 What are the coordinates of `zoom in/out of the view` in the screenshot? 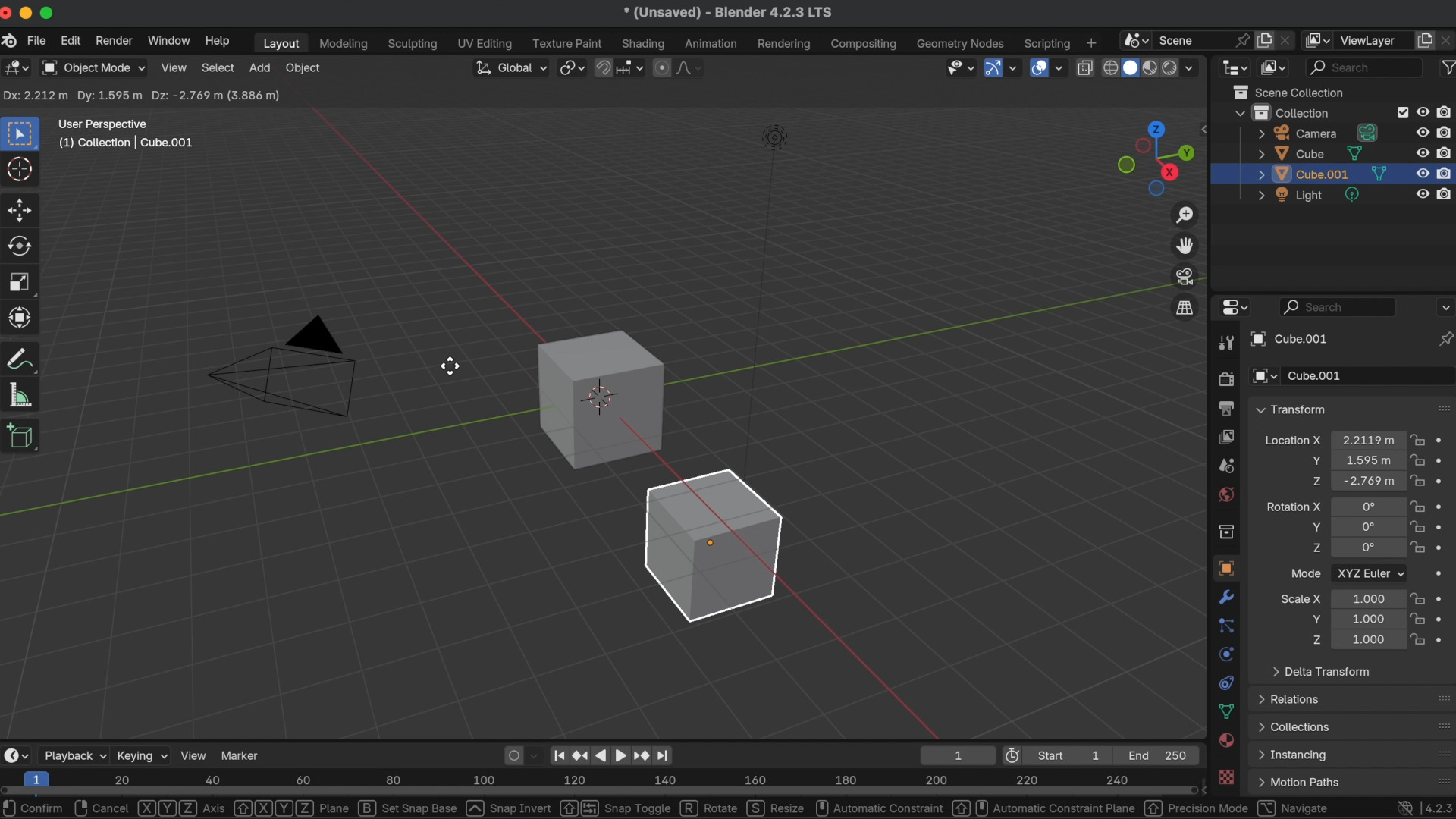 It's located at (1187, 215).